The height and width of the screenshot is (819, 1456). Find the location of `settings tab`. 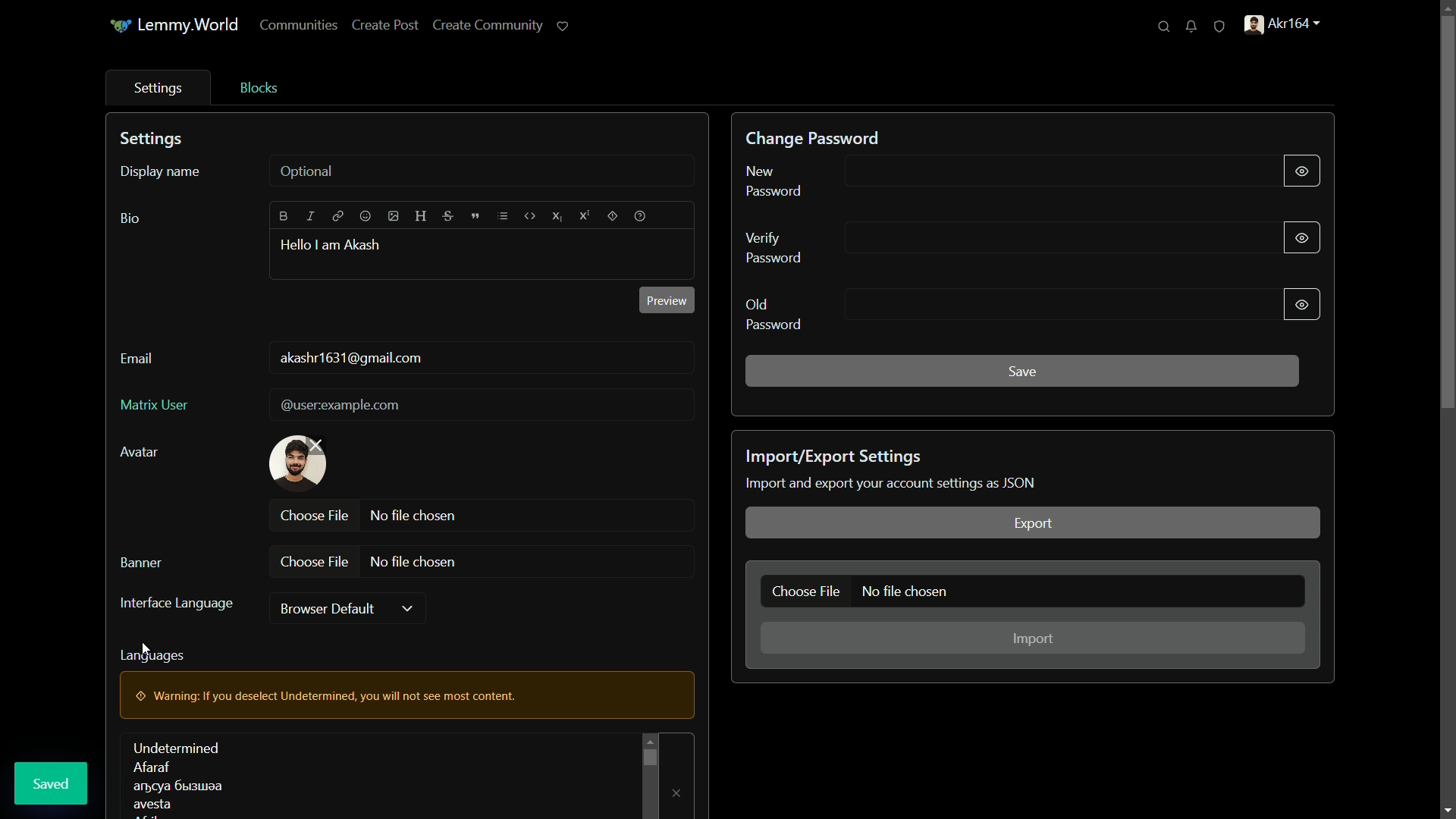

settings tab is located at coordinates (161, 89).